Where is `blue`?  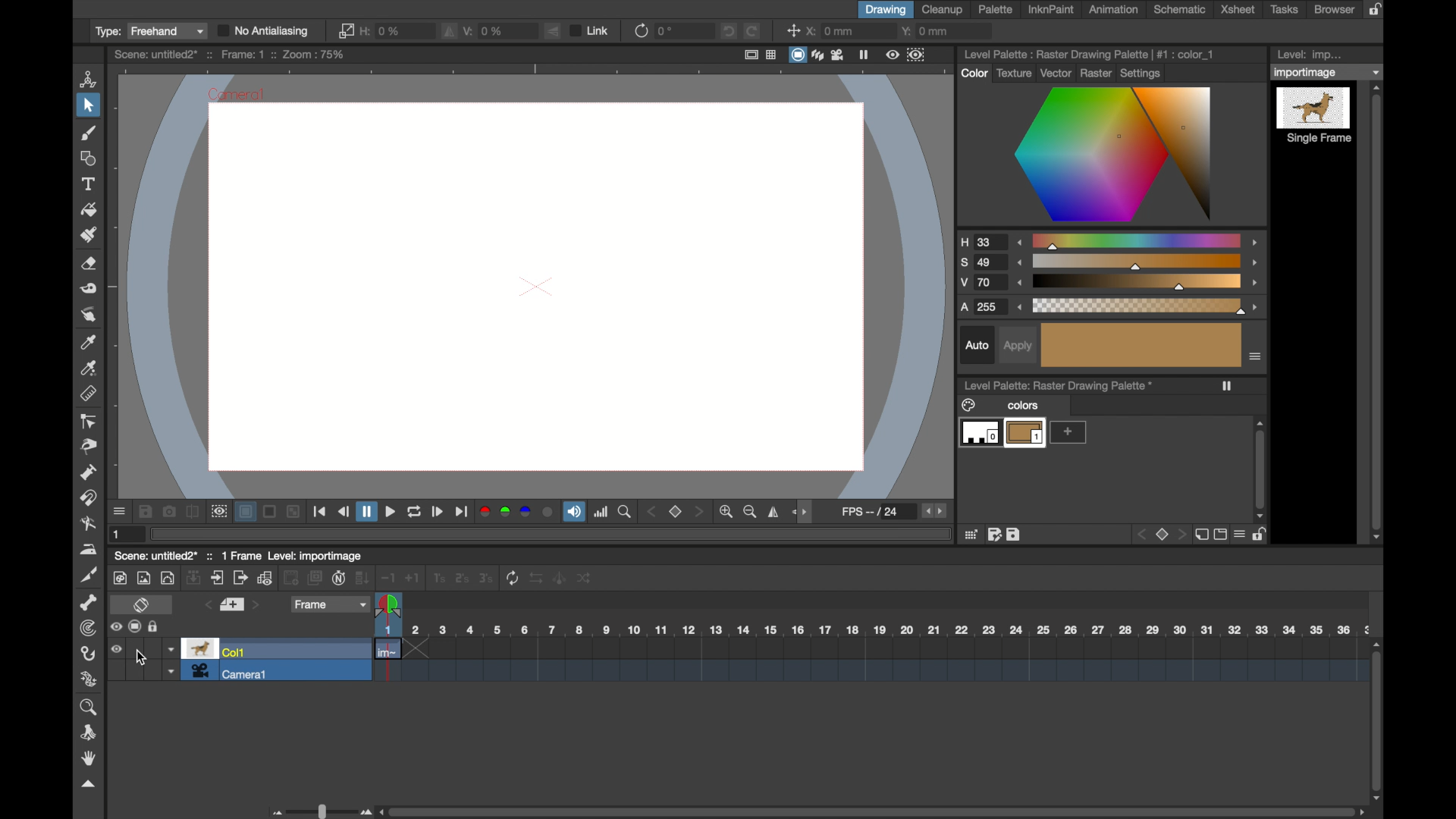
blue is located at coordinates (526, 512).